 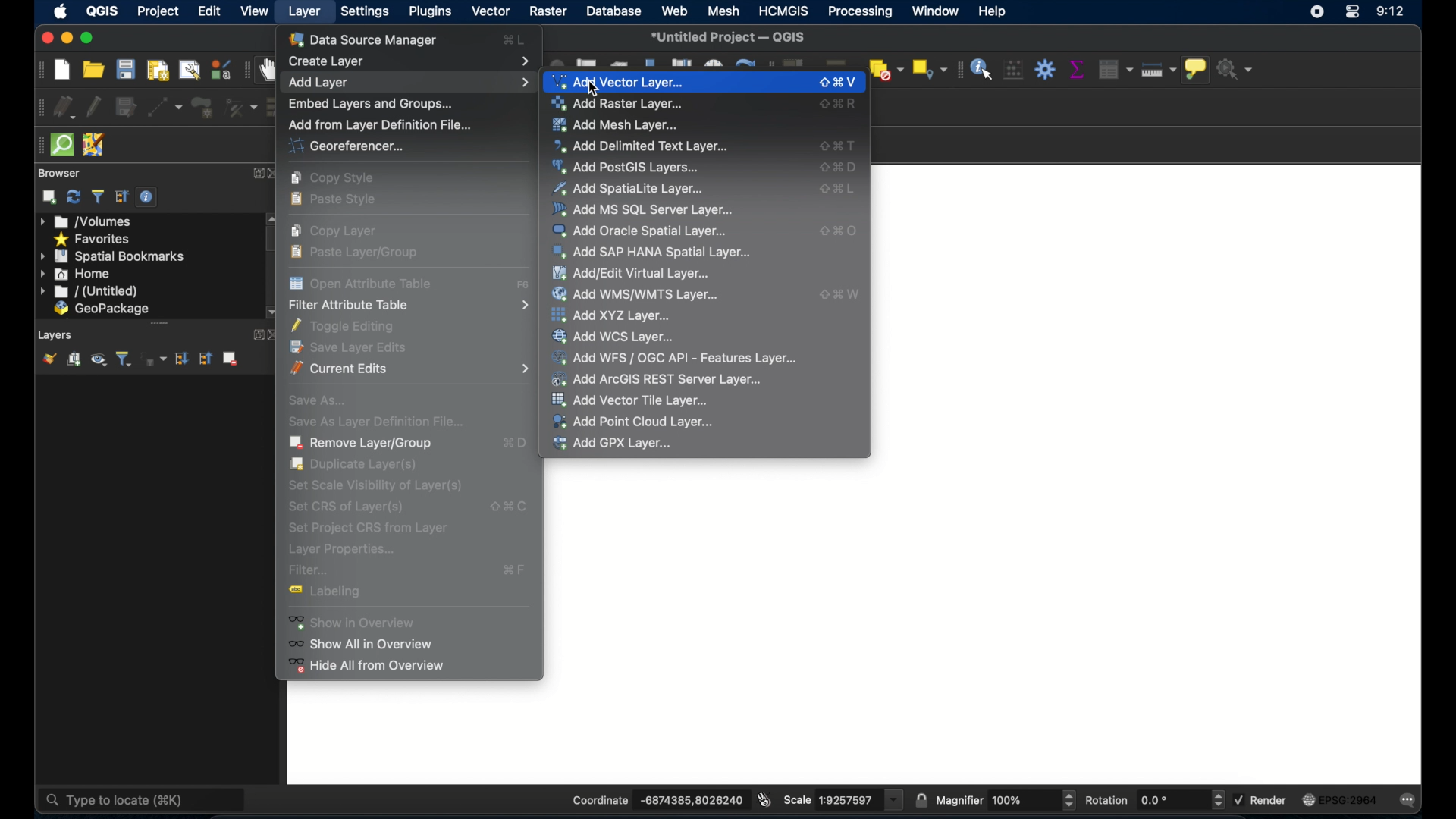 I want to click on Filter Attribute Table, so click(x=409, y=306).